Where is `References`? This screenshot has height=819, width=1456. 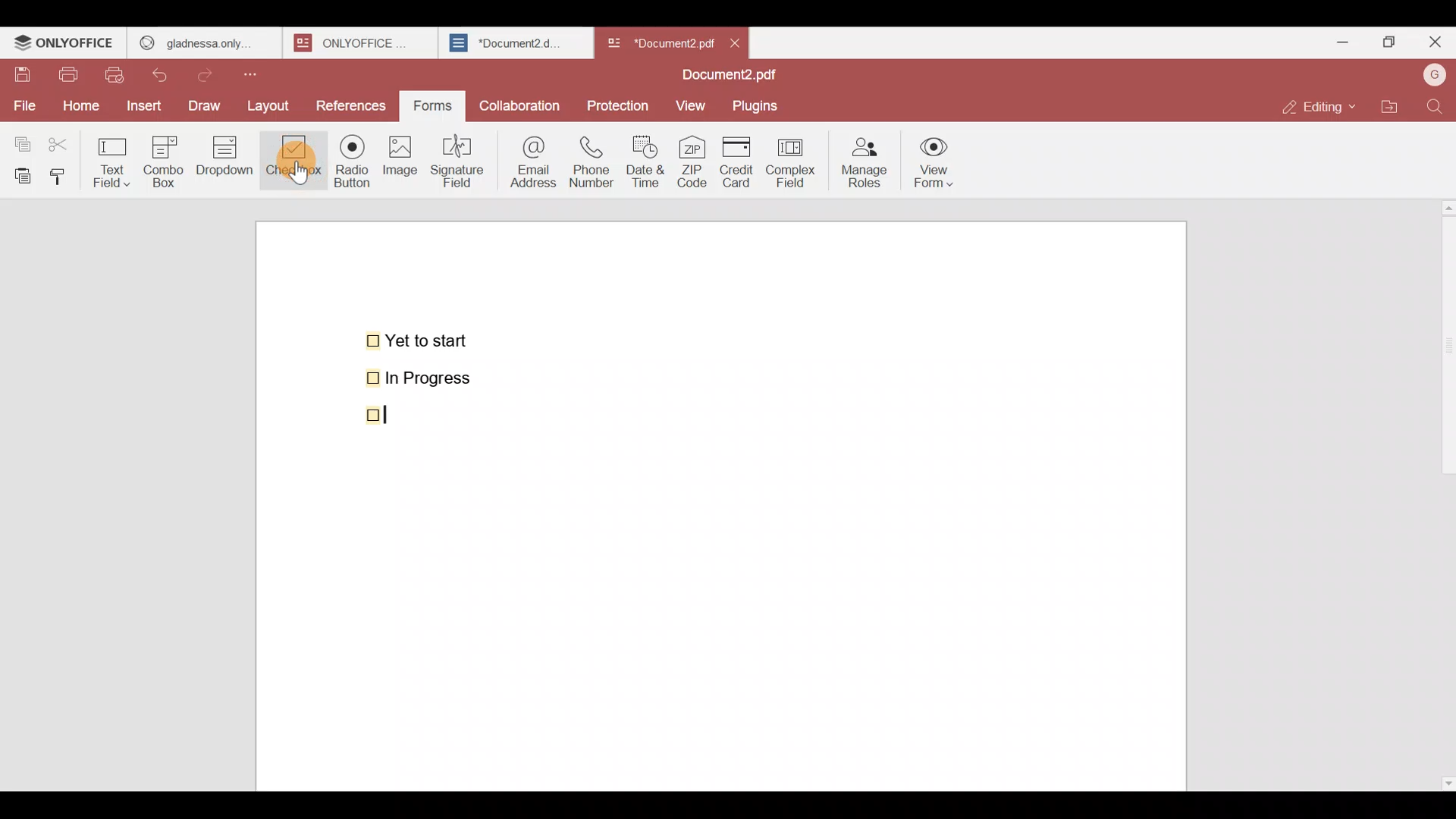
References is located at coordinates (351, 105).